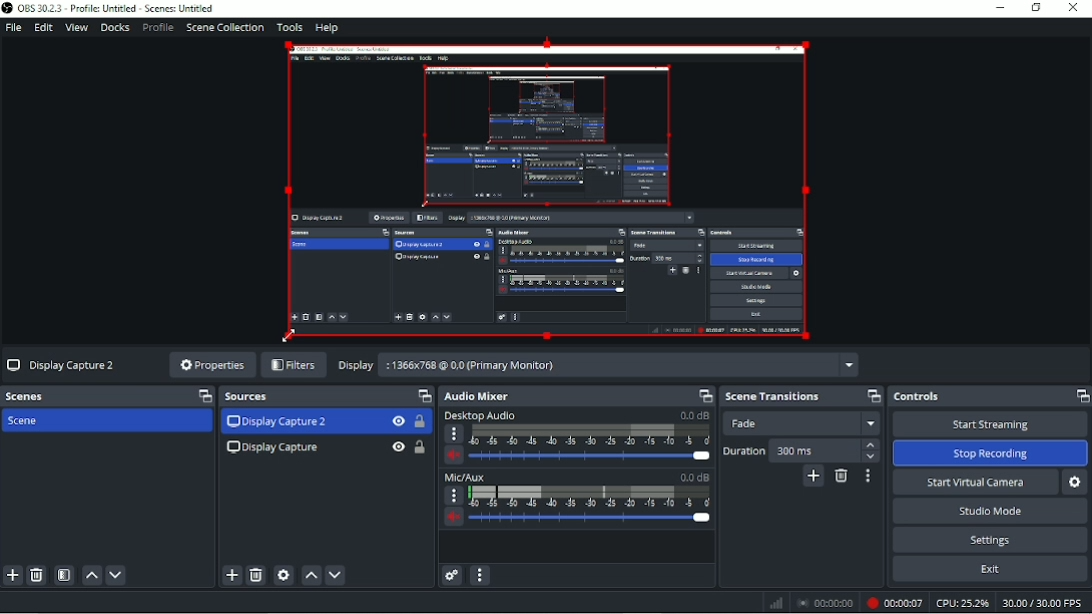 This screenshot has height=614, width=1092. Describe the element at coordinates (66, 362) in the screenshot. I see `Display Capture 2` at that location.